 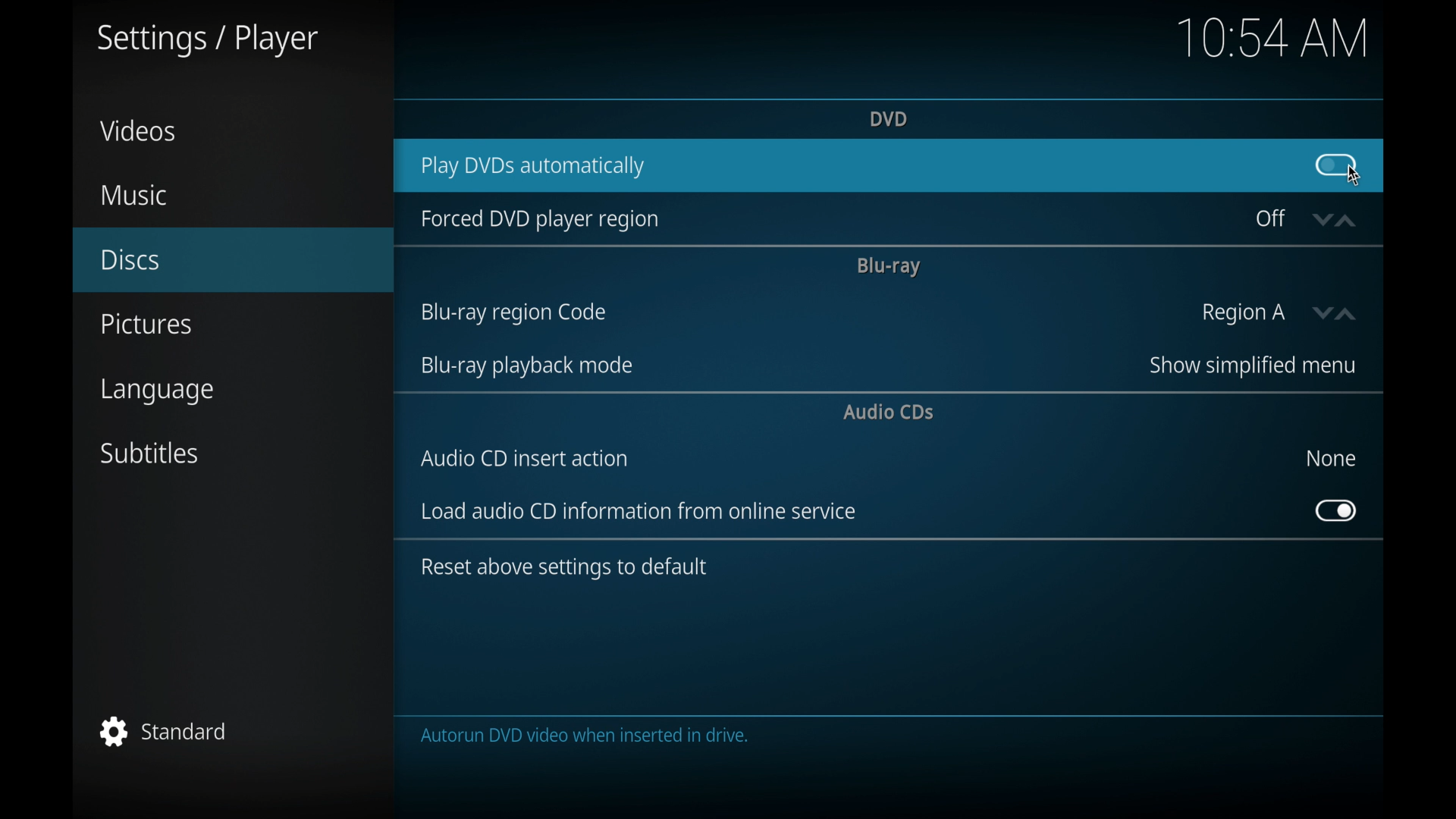 What do you see at coordinates (1330, 458) in the screenshot?
I see `none` at bounding box center [1330, 458].